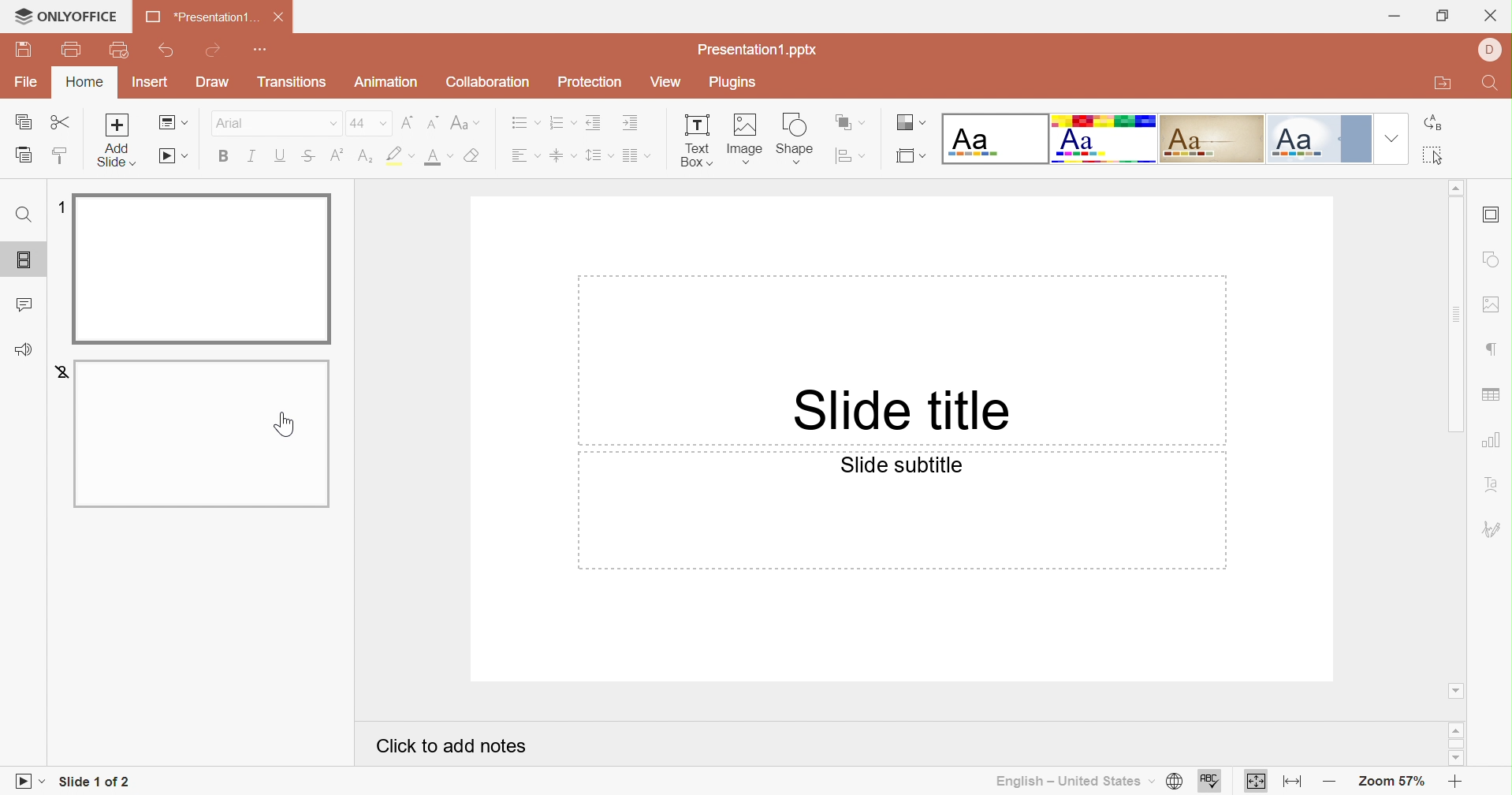  Describe the element at coordinates (283, 17) in the screenshot. I see `Close` at that location.